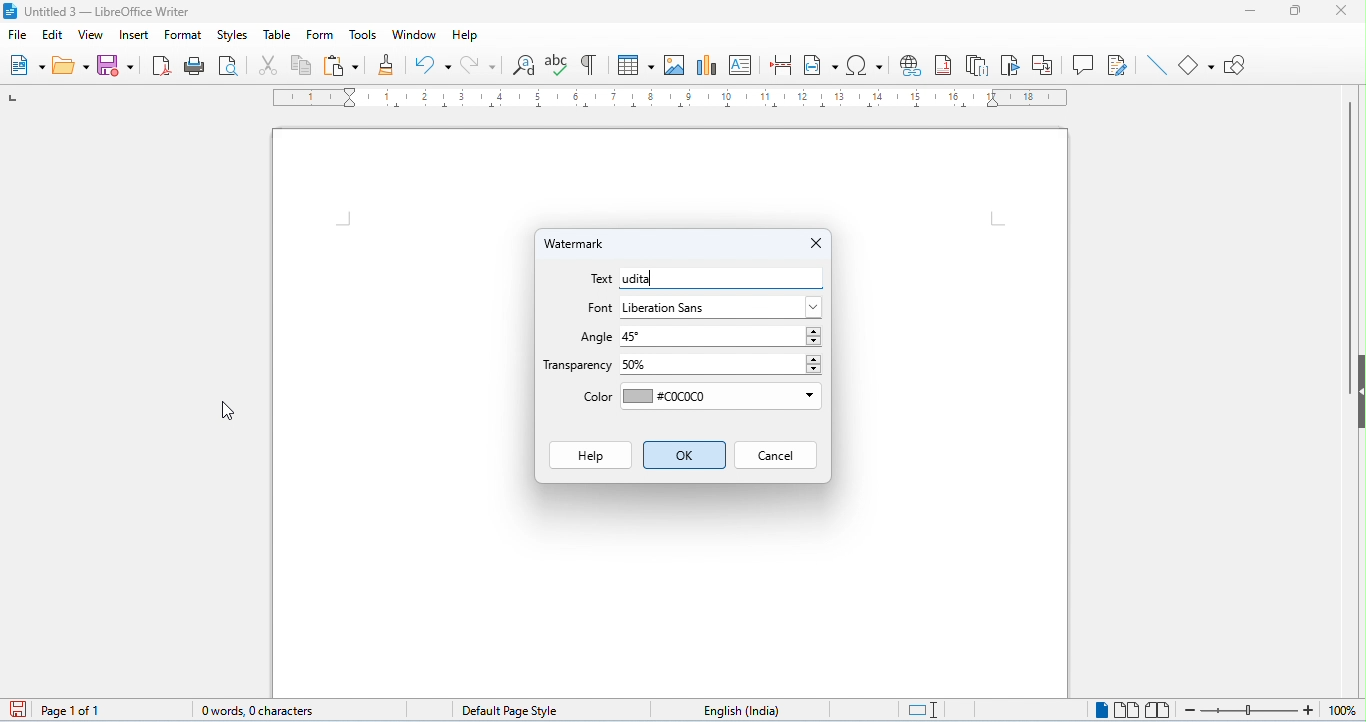 The height and width of the screenshot is (722, 1366). I want to click on insert comment, so click(1084, 64).